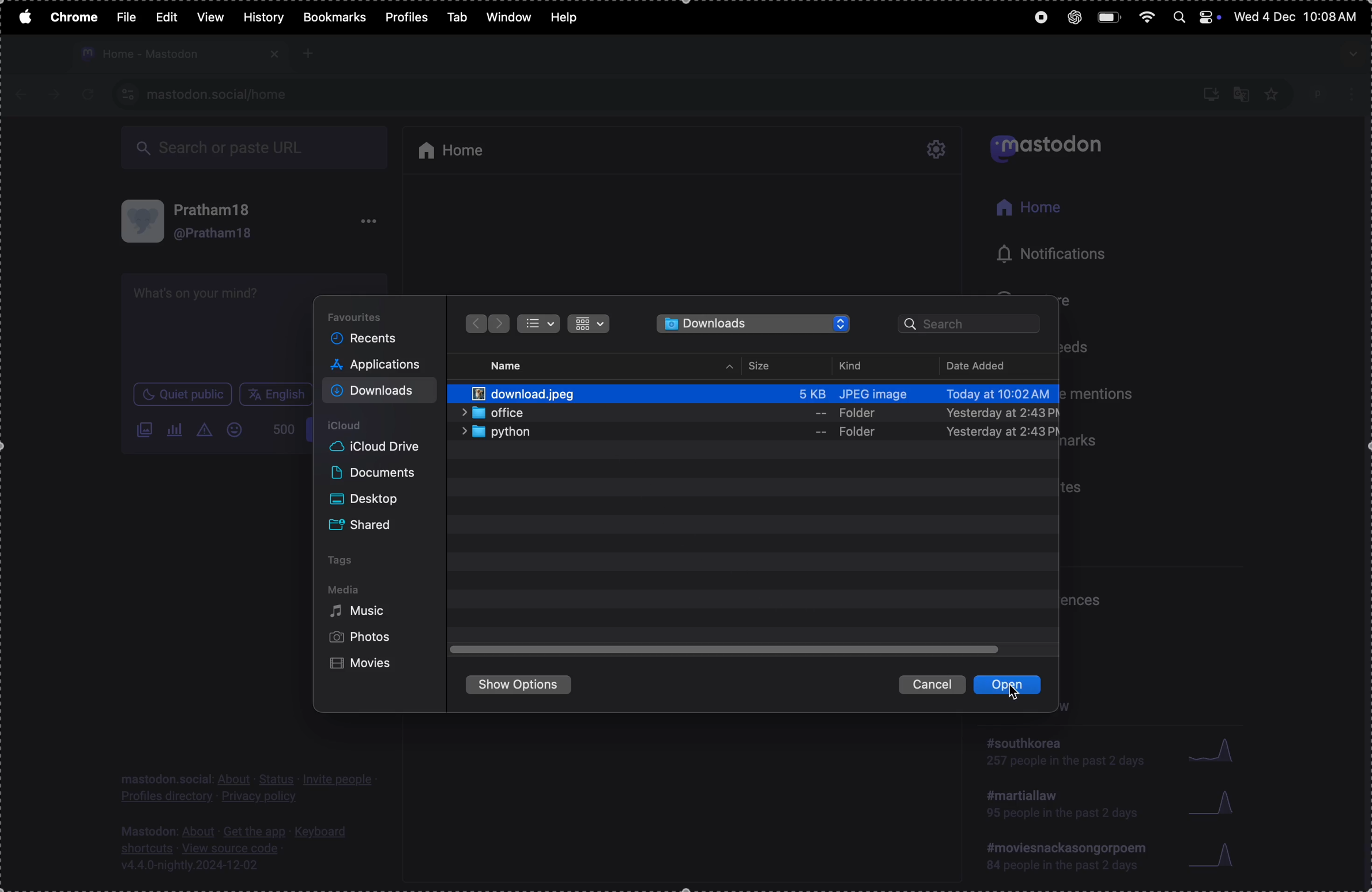 The height and width of the screenshot is (892, 1372). I want to click on i cloud, so click(359, 424).